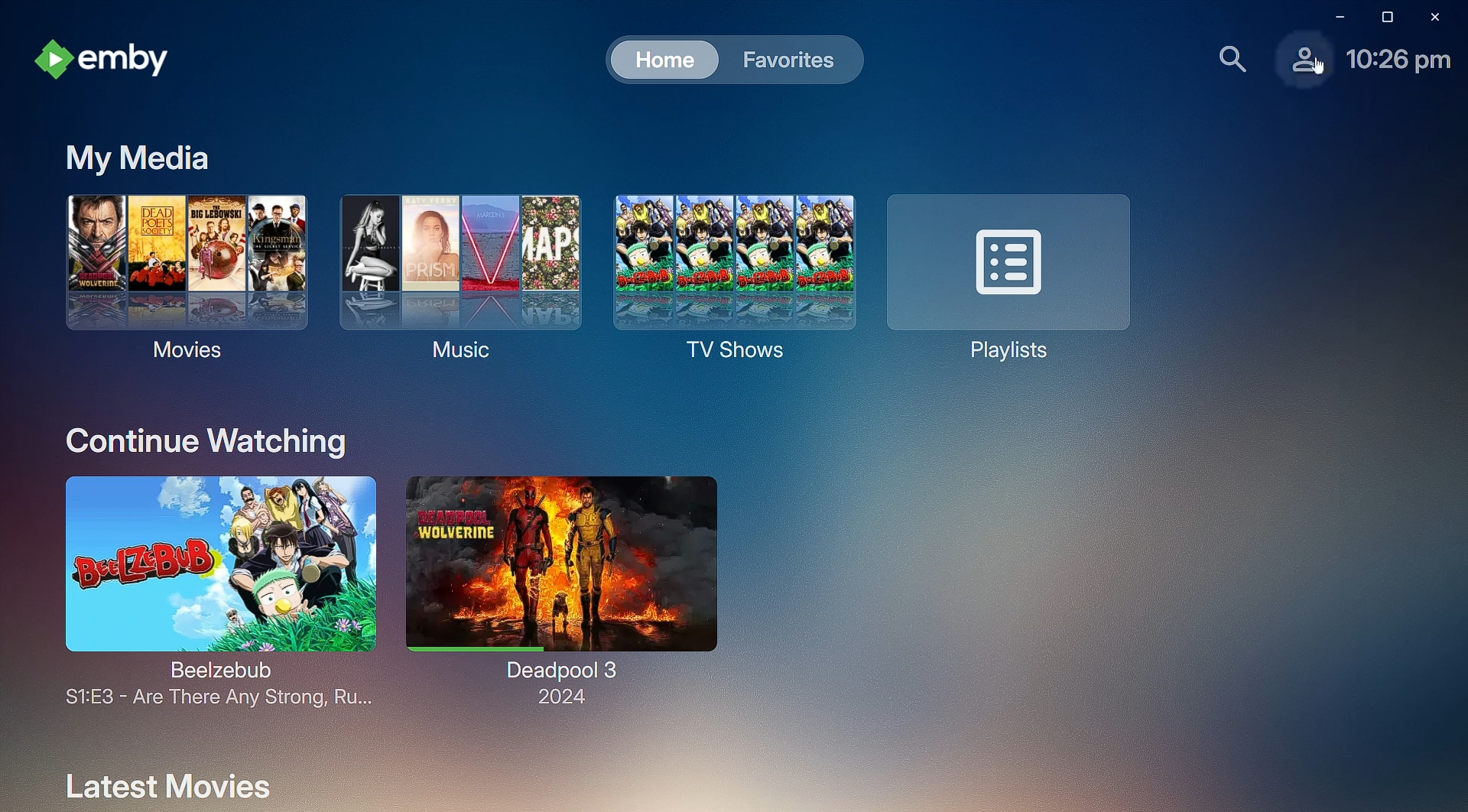  I want to click on Movies, so click(181, 273).